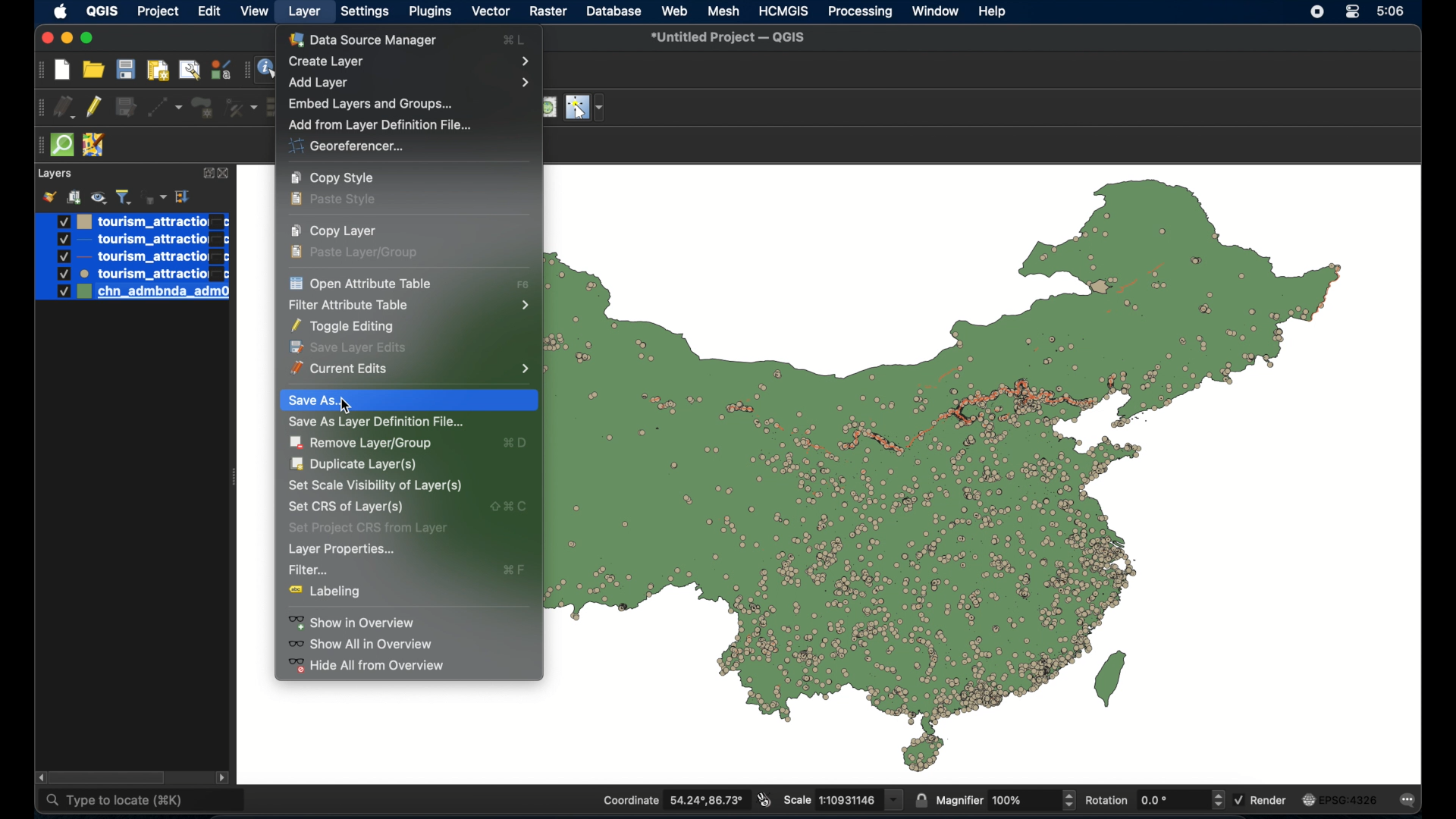 The image size is (1456, 819). I want to click on paste style, so click(333, 200).